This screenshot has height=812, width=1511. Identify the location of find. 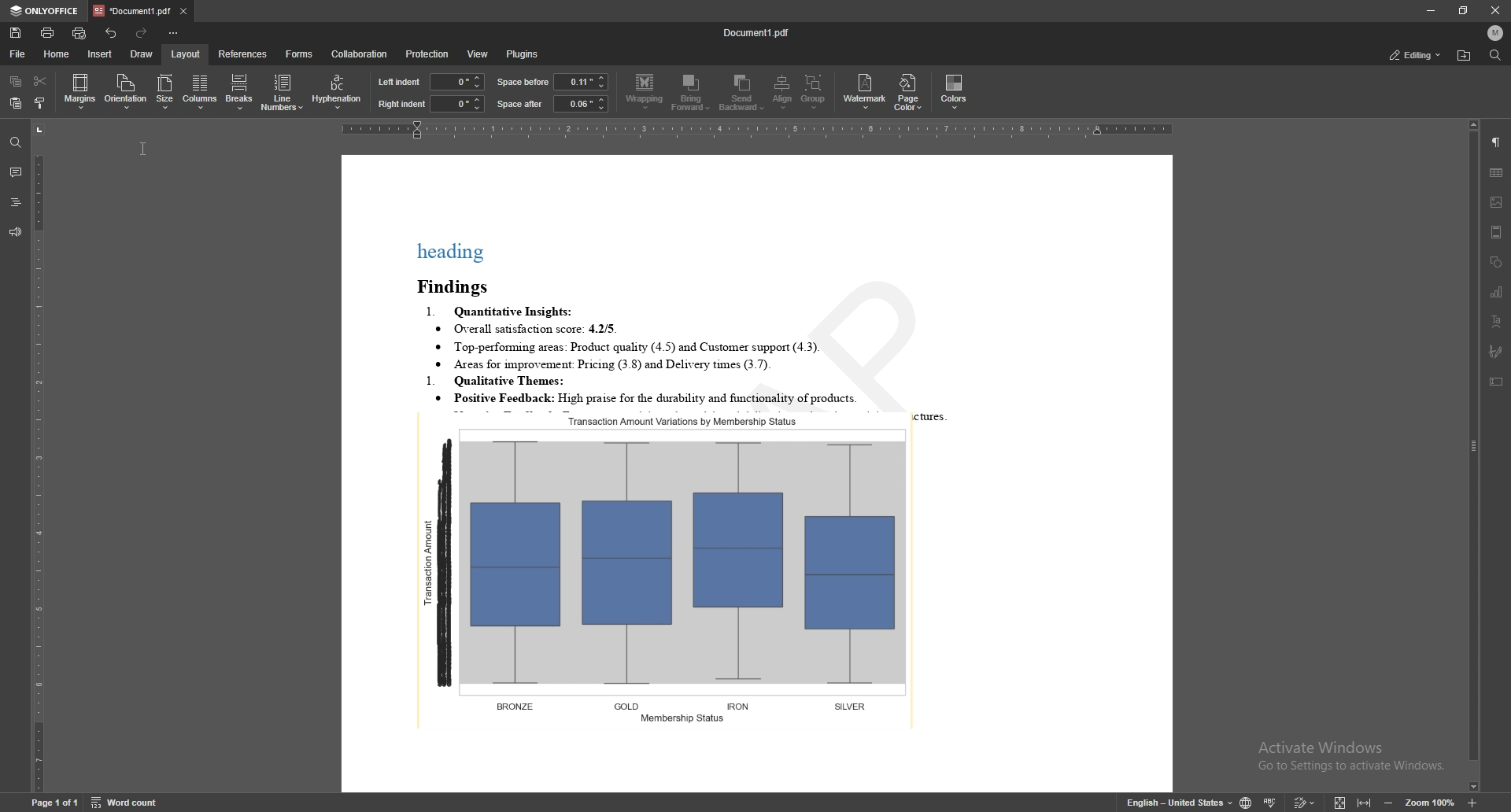
(1496, 55).